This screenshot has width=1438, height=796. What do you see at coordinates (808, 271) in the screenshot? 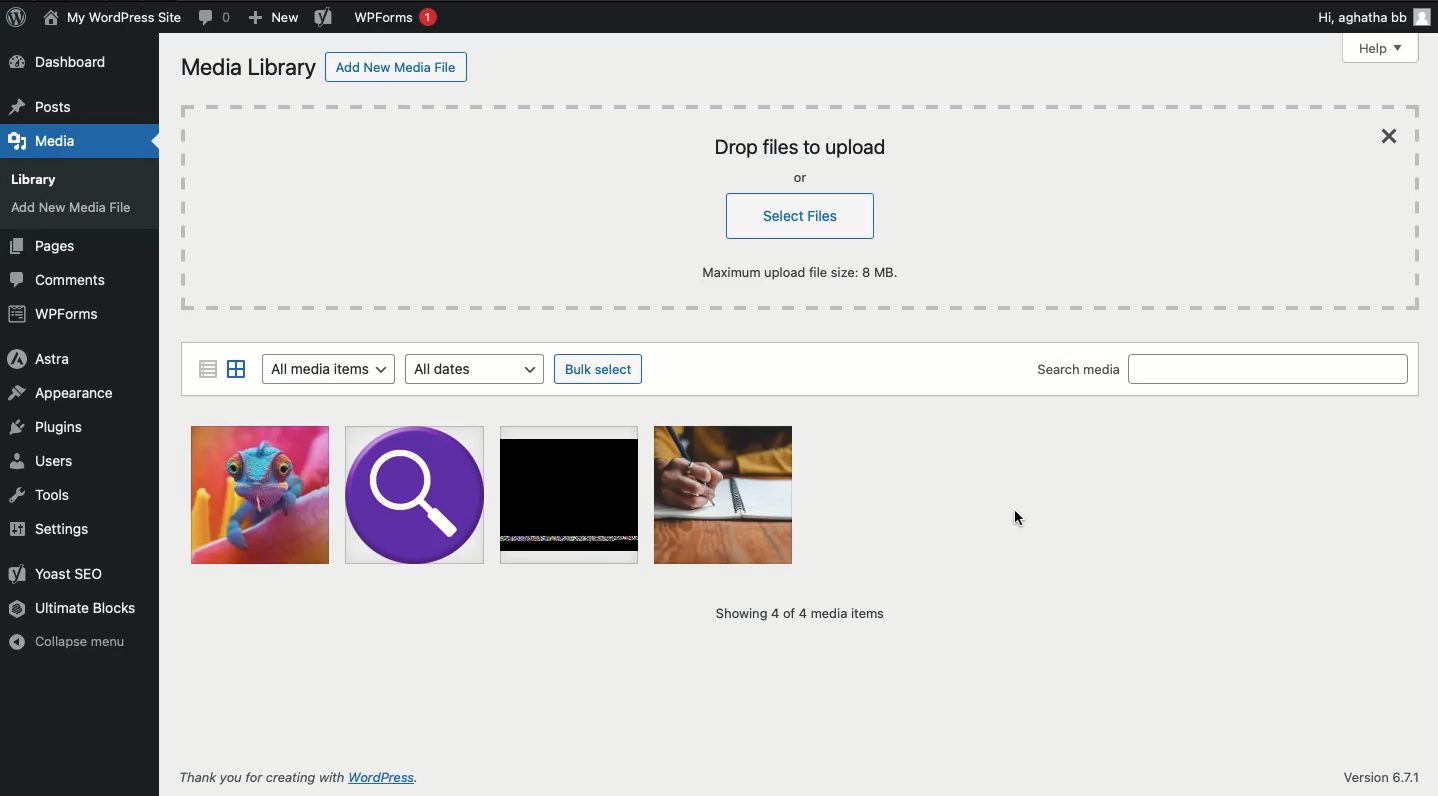
I see `Maximum upload file size` at bounding box center [808, 271].